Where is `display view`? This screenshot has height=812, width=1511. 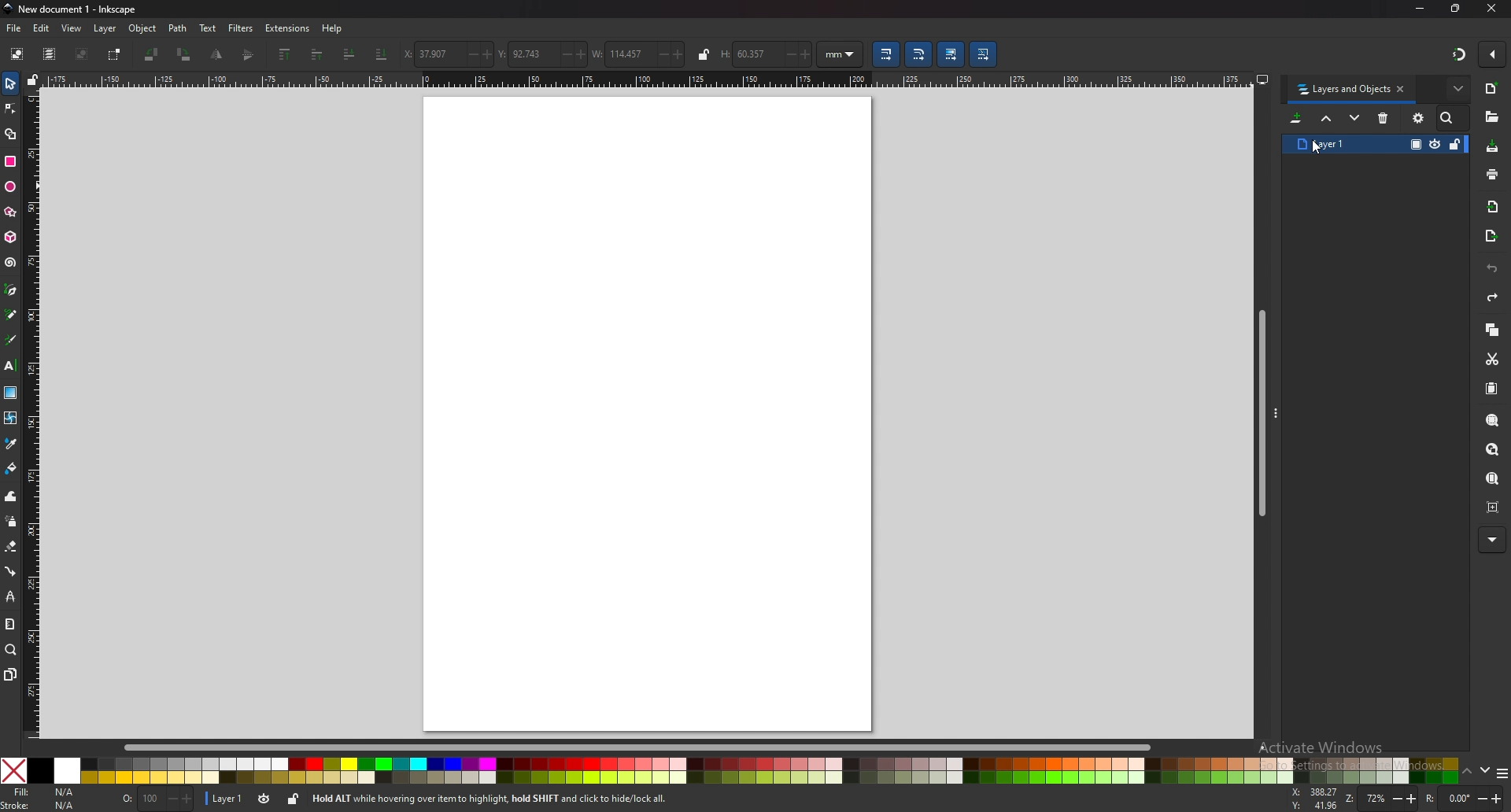 display view is located at coordinates (1262, 79).